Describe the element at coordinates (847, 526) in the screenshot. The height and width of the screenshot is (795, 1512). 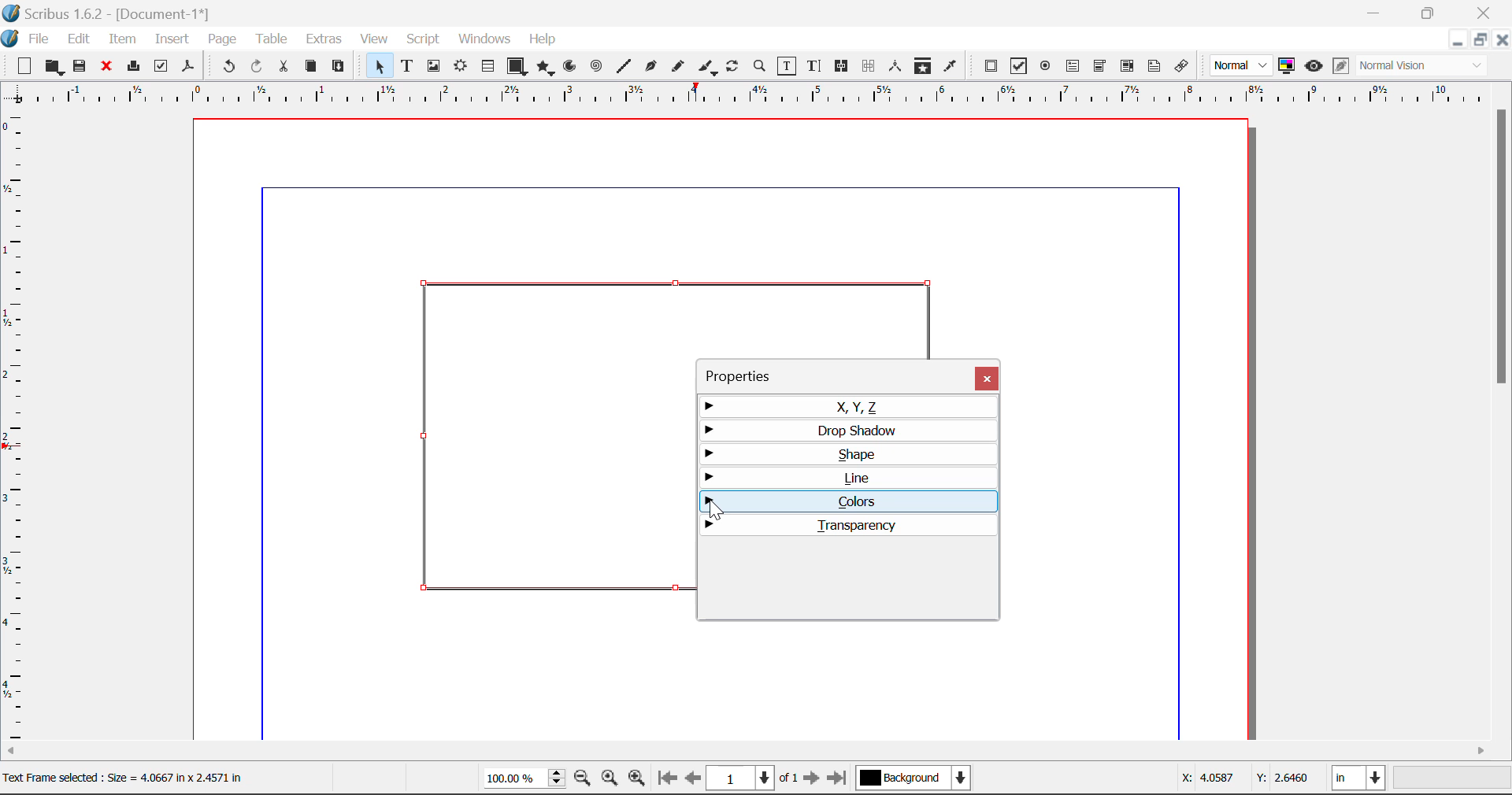
I see `Transparency` at that location.